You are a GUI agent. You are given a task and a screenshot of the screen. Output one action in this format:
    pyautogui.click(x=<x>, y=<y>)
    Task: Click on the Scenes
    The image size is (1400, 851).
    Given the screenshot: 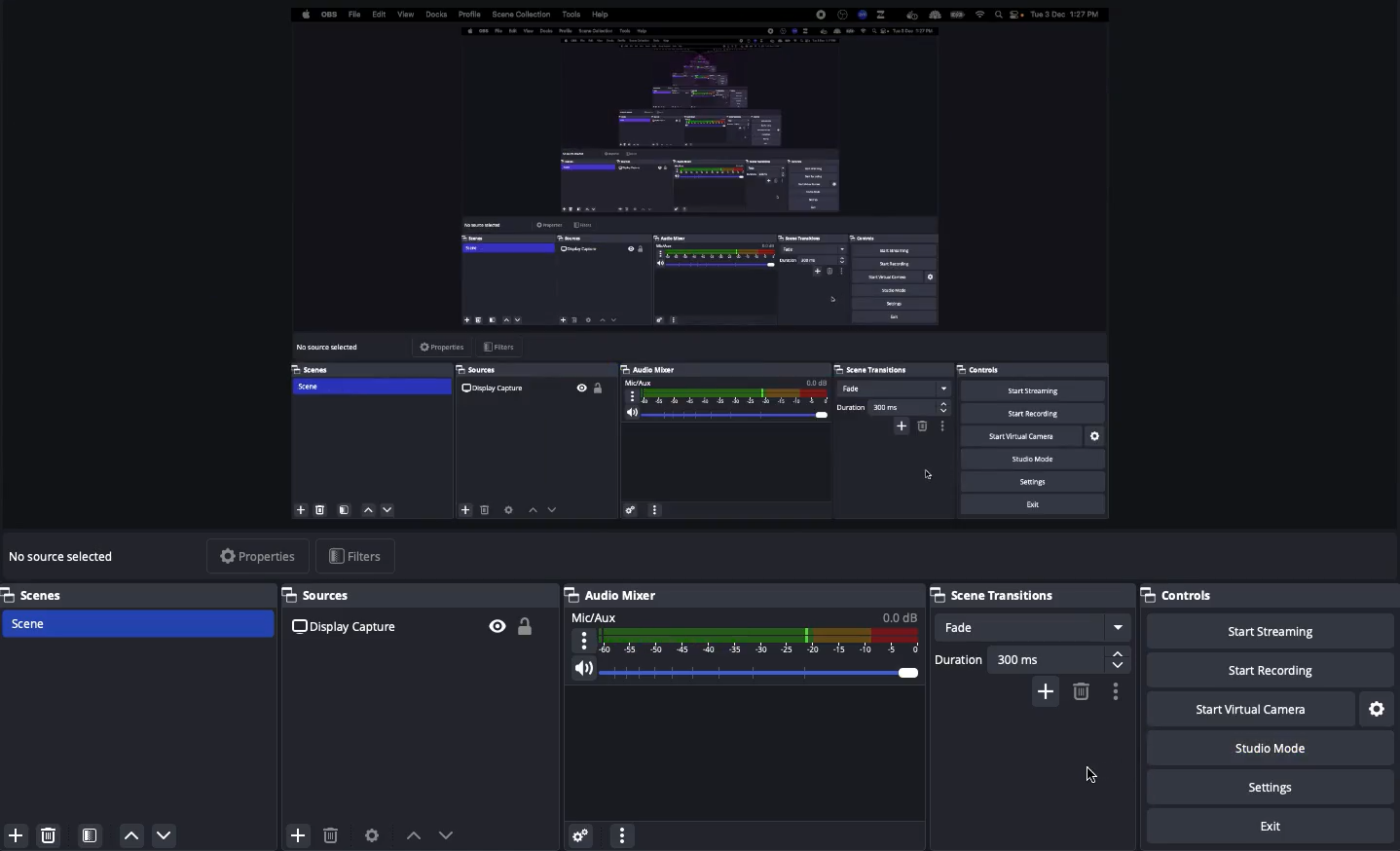 What is the action you would take?
    pyautogui.click(x=135, y=622)
    